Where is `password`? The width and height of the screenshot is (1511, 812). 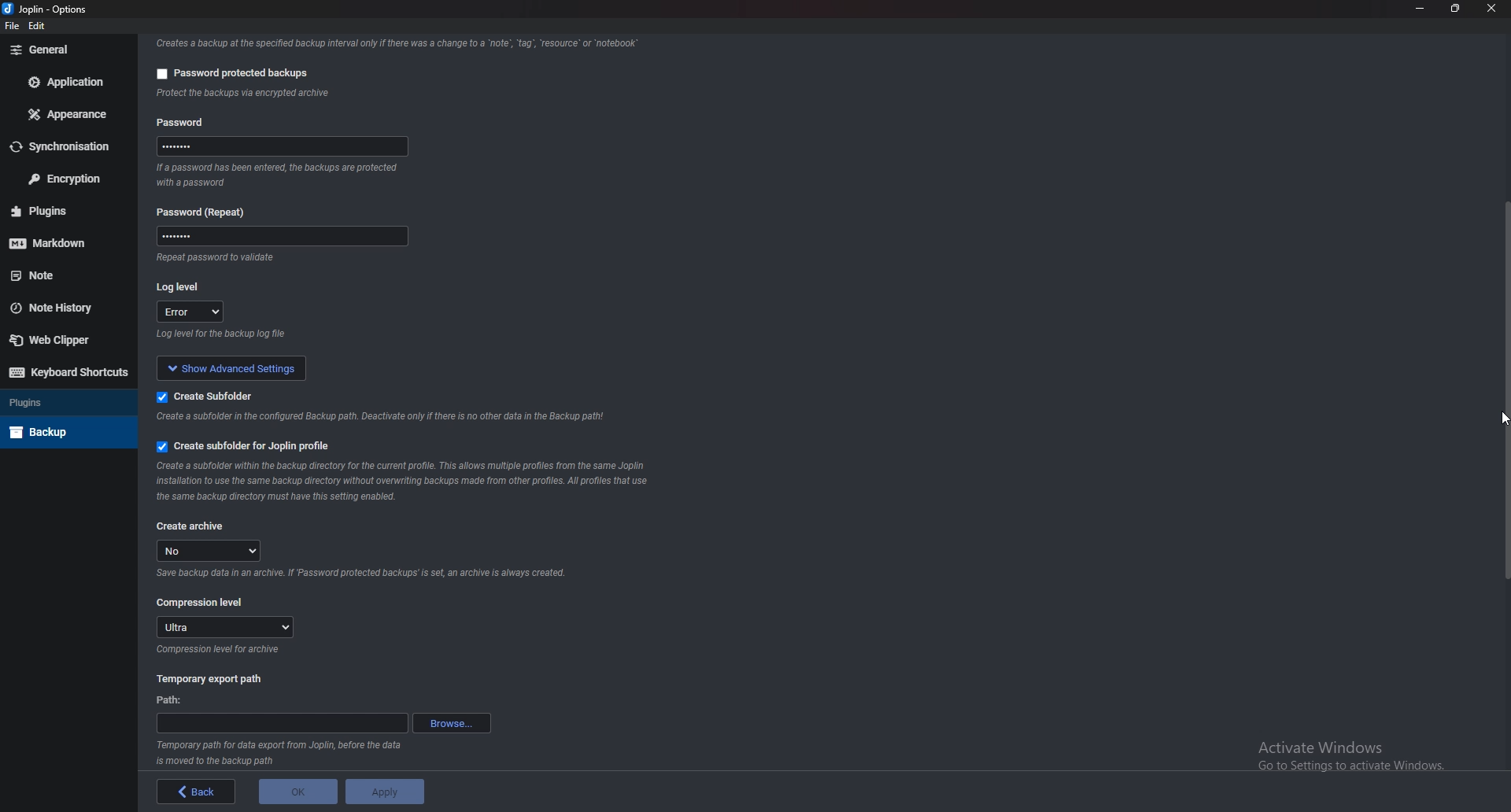
password is located at coordinates (277, 238).